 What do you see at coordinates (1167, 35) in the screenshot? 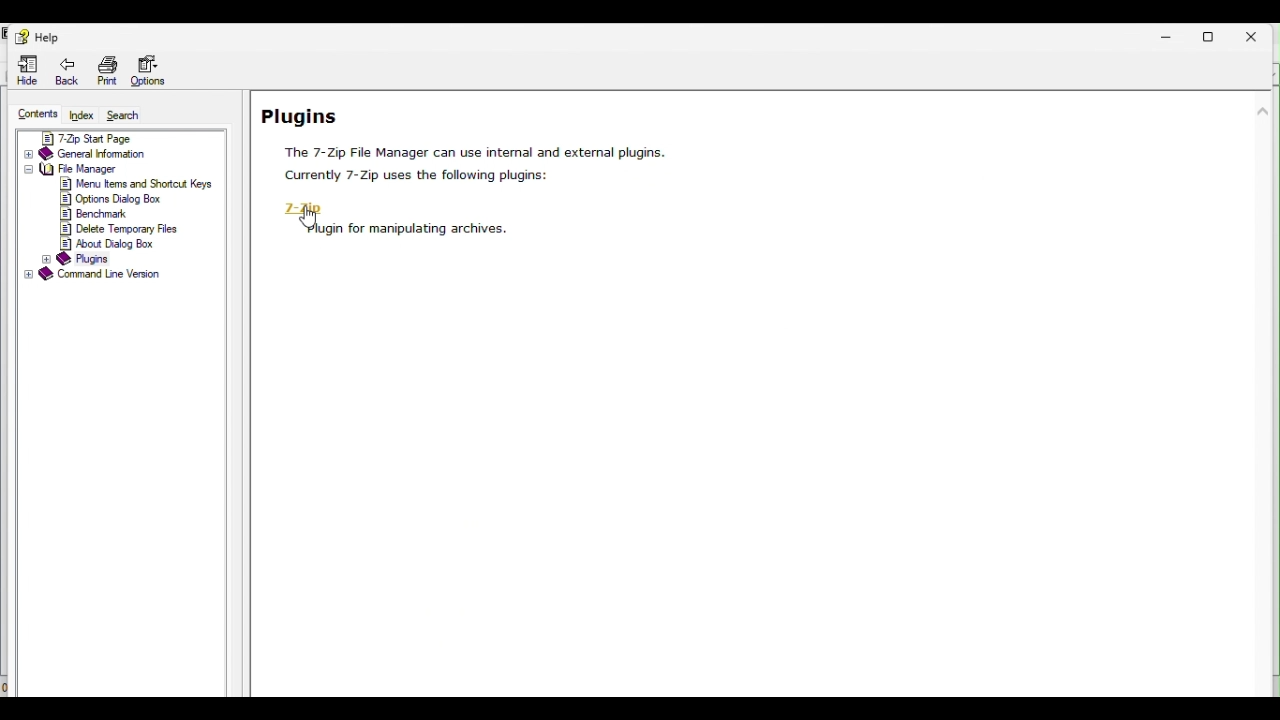
I see `Minimize` at bounding box center [1167, 35].